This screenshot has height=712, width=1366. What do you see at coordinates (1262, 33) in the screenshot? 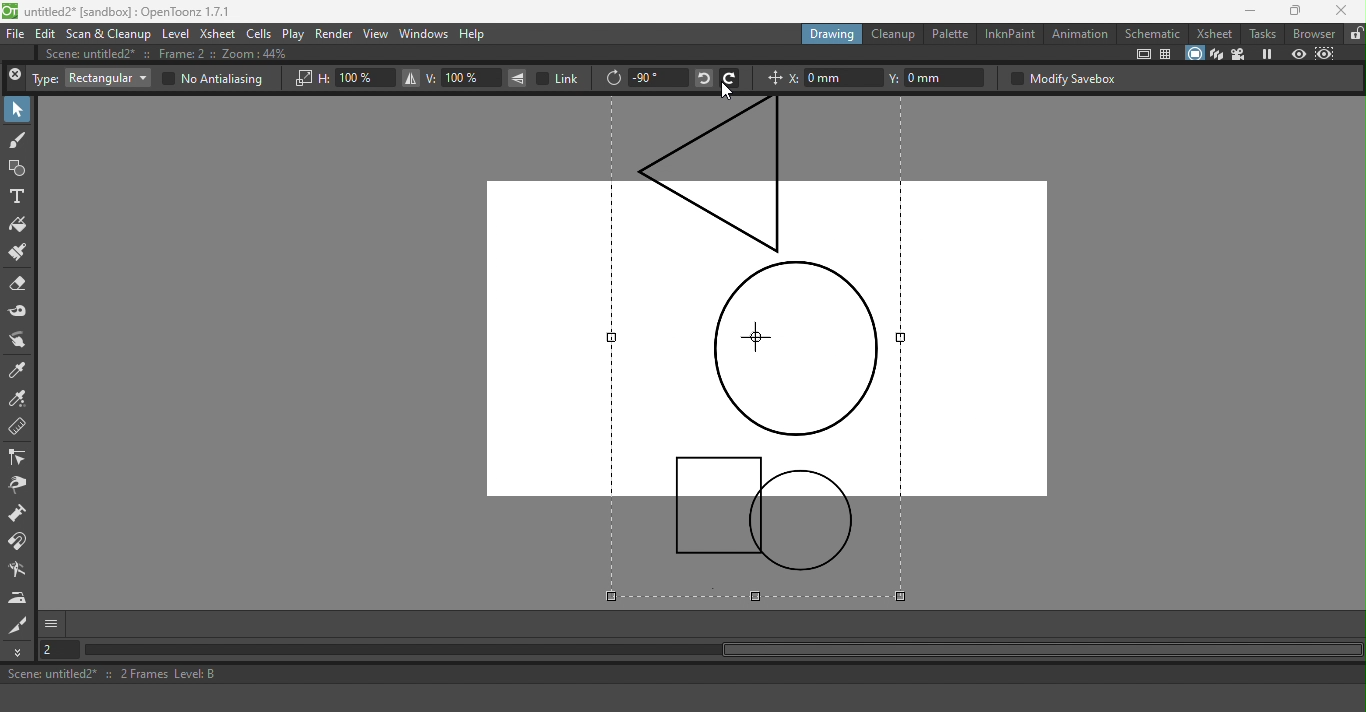
I see `Tasks` at bounding box center [1262, 33].